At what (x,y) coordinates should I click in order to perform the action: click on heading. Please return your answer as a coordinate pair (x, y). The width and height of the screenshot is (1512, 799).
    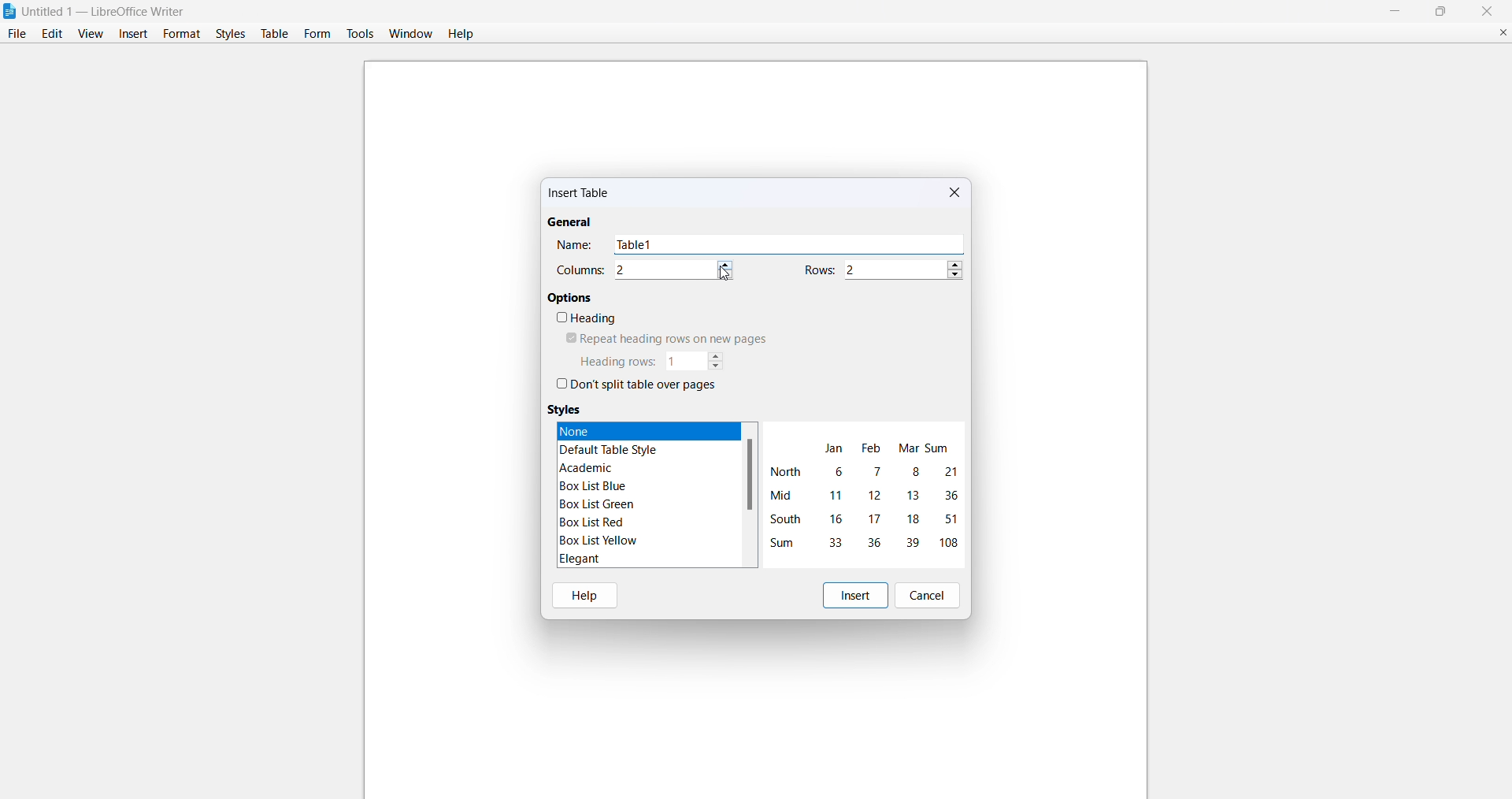
    Looking at the image, I should click on (586, 319).